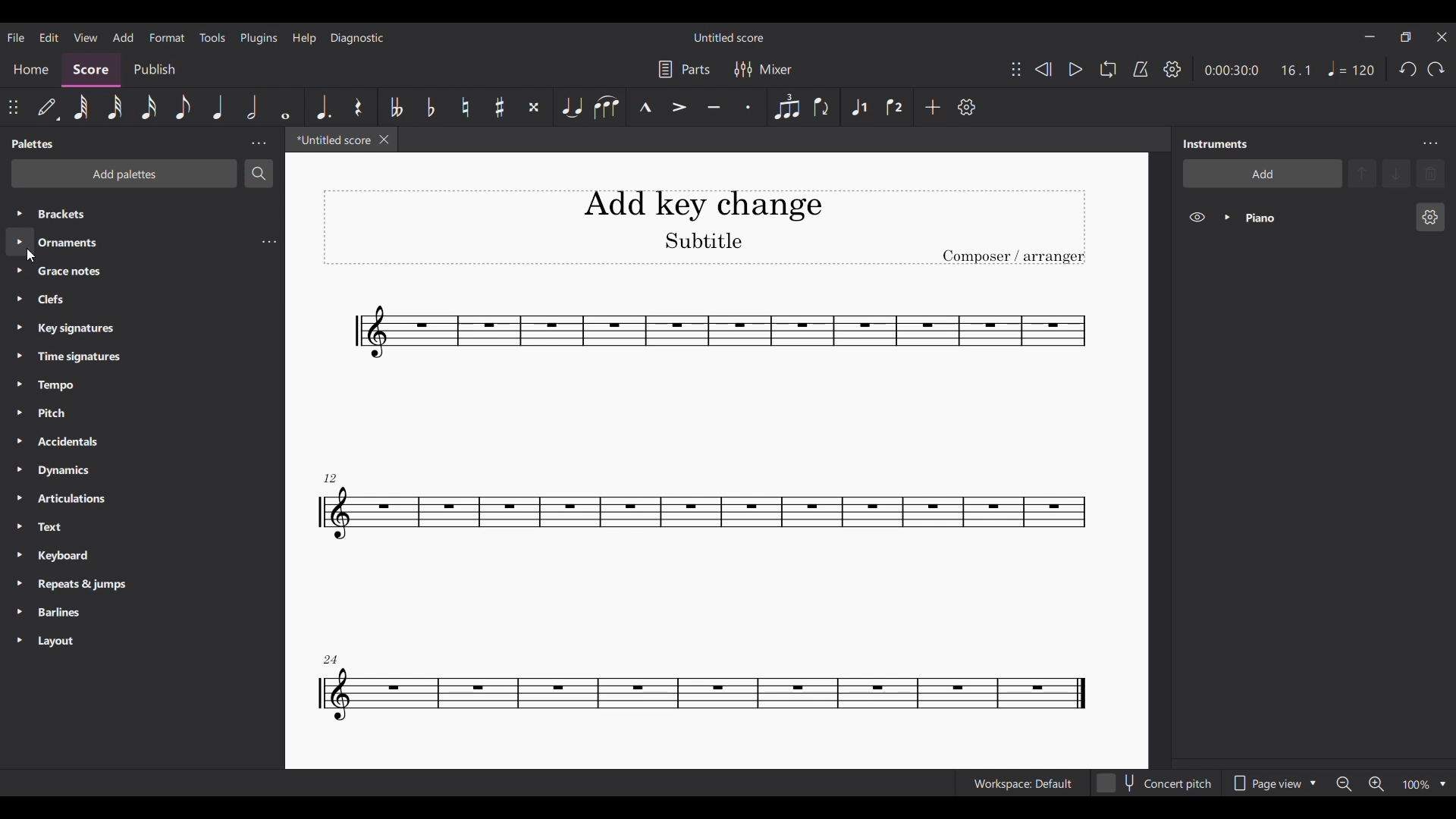 The image size is (1456, 819). What do you see at coordinates (1417, 786) in the screenshot?
I see `Current zoom factor` at bounding box center [1417, 786].